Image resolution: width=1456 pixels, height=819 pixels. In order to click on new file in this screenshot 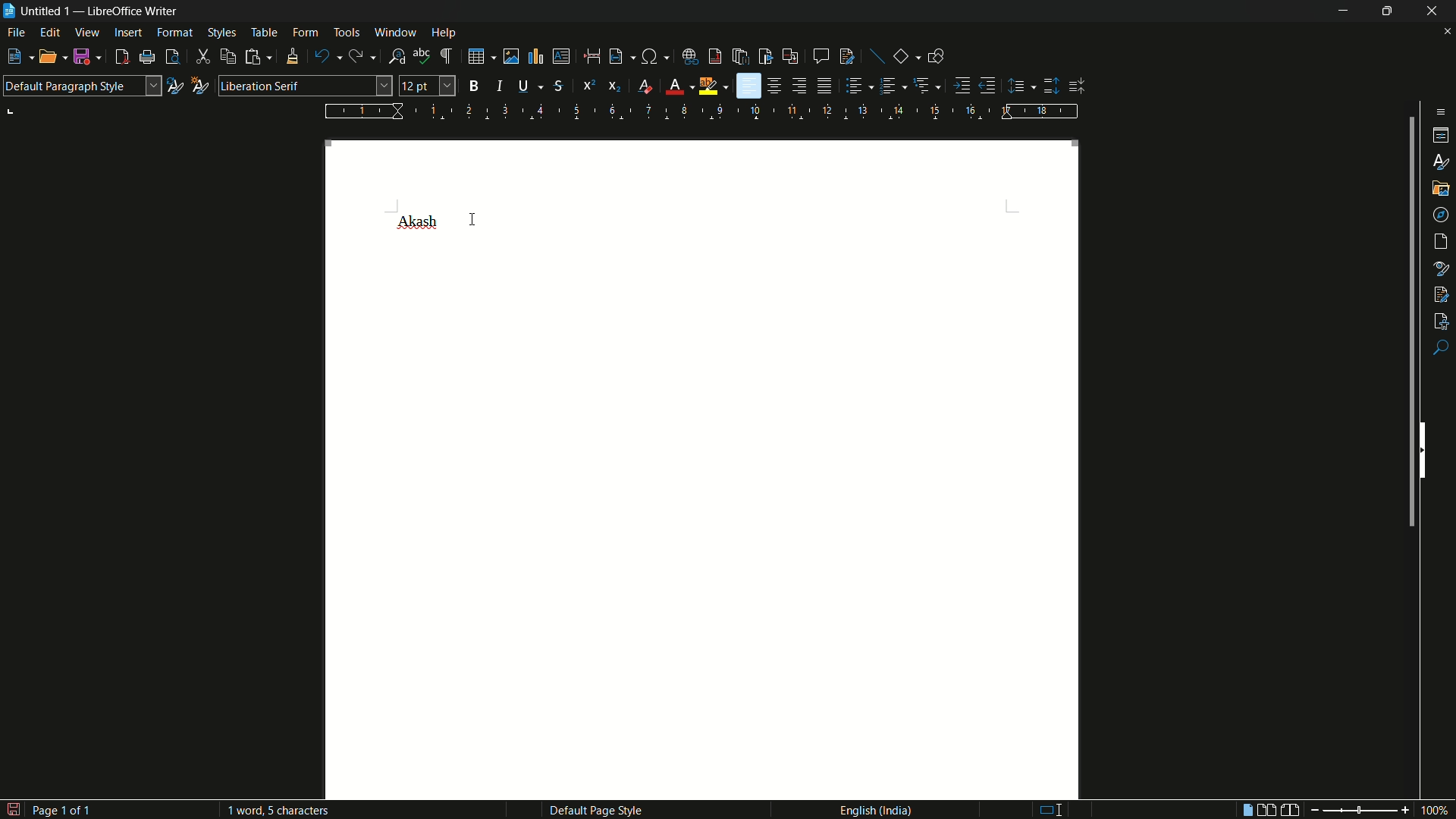, I will do `click(14, 57)`.